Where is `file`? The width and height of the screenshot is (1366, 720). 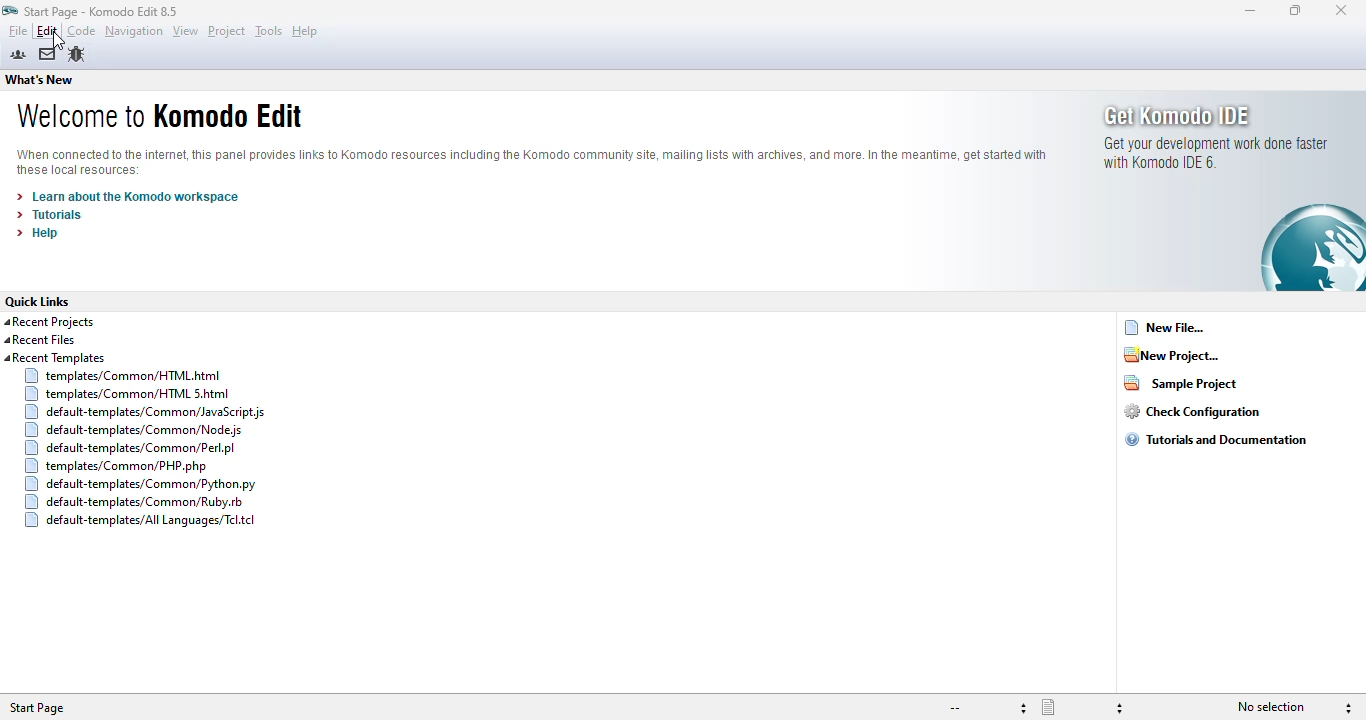 file is located at coordinates (17, 30).